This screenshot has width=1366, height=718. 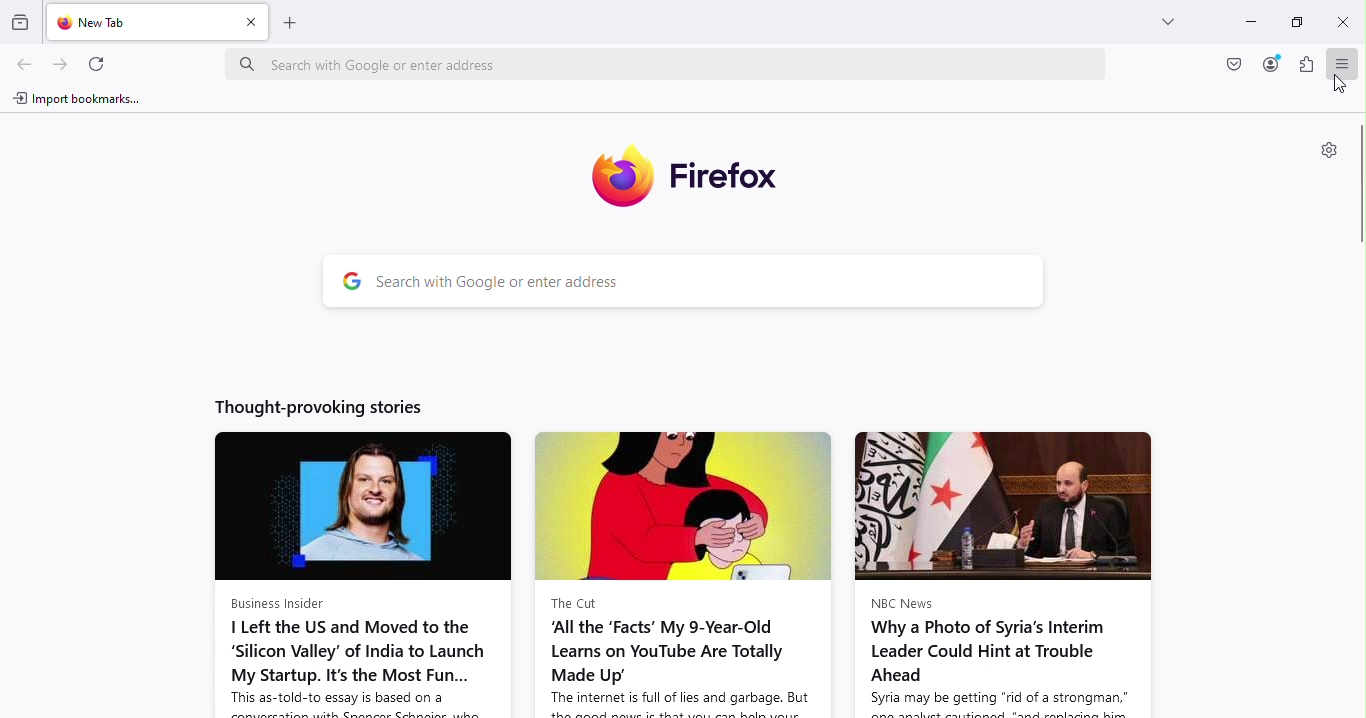 I want to click on List all tabs, so click(x=1168, y=19).